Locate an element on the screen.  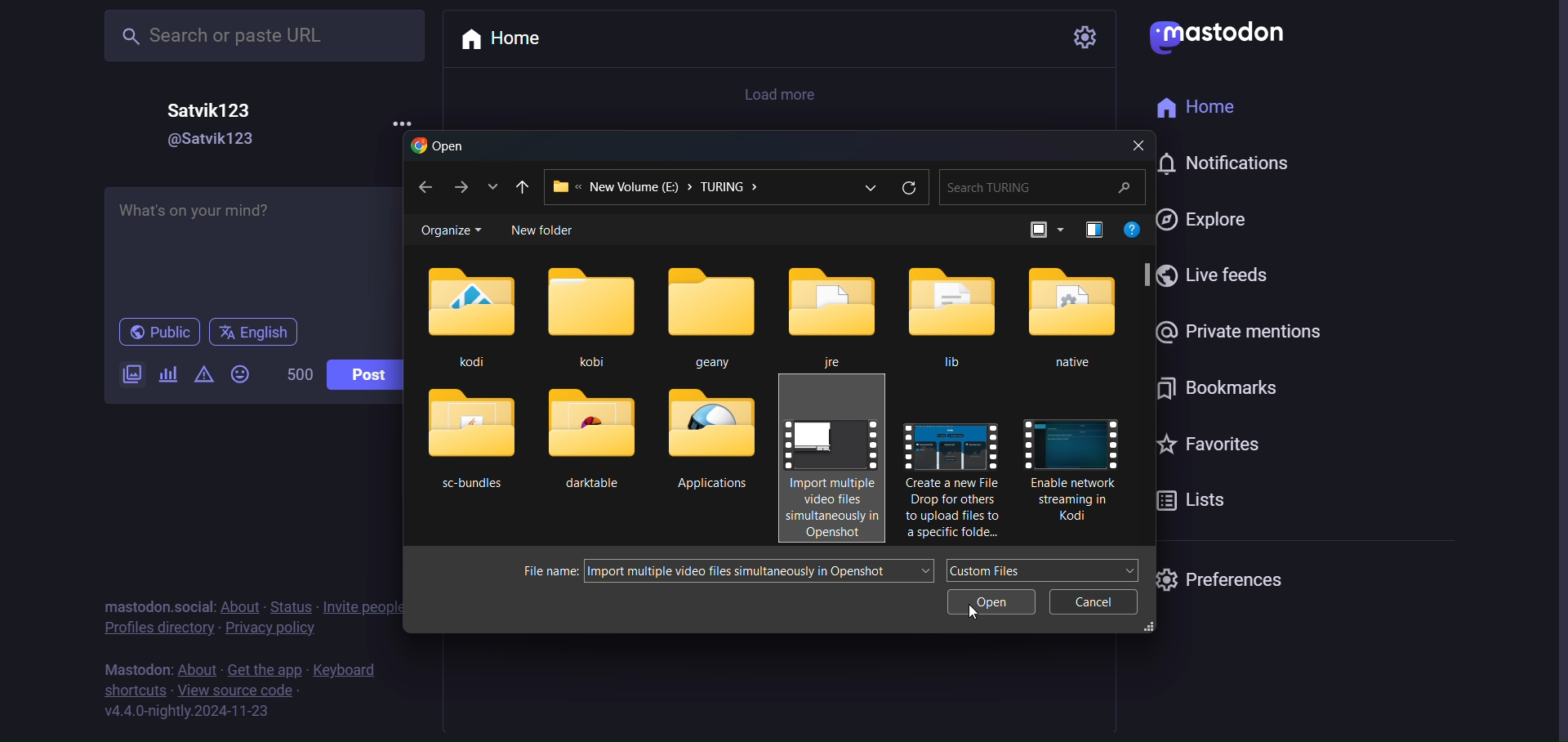
private mention is located at coordinates (1234, 330).